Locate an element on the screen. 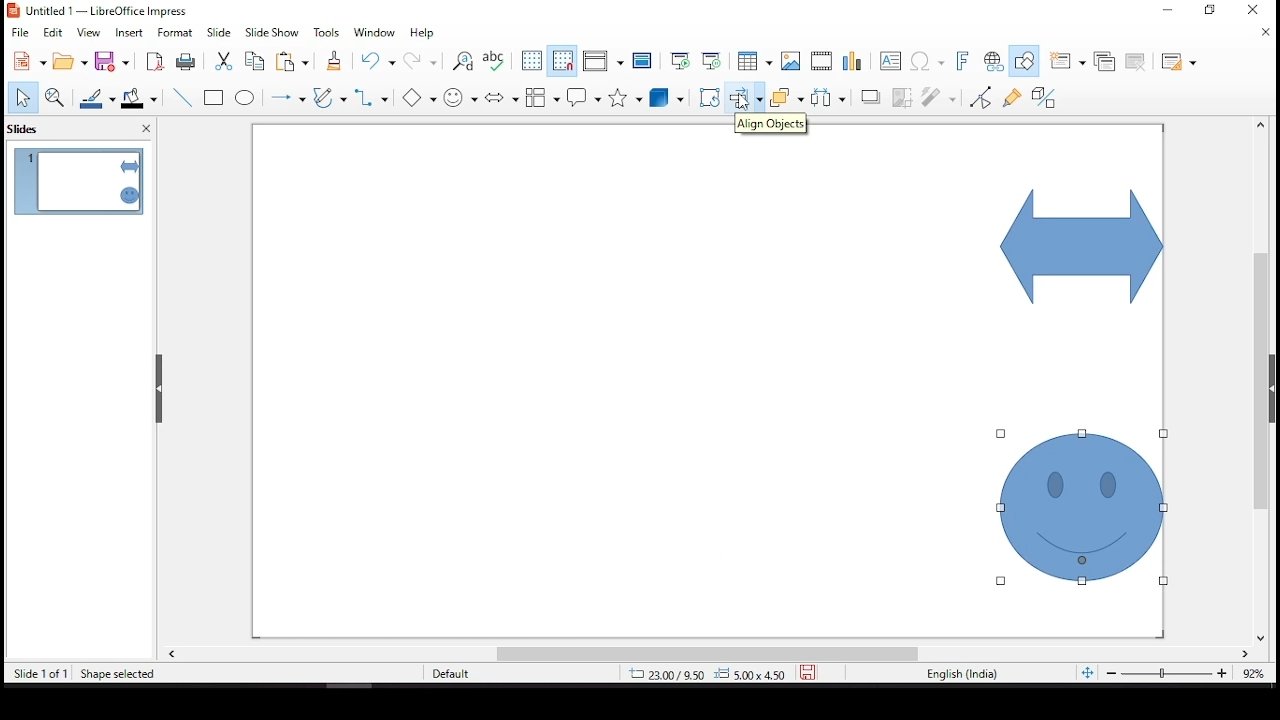  zoom level is located at coordinates (1252, 674).